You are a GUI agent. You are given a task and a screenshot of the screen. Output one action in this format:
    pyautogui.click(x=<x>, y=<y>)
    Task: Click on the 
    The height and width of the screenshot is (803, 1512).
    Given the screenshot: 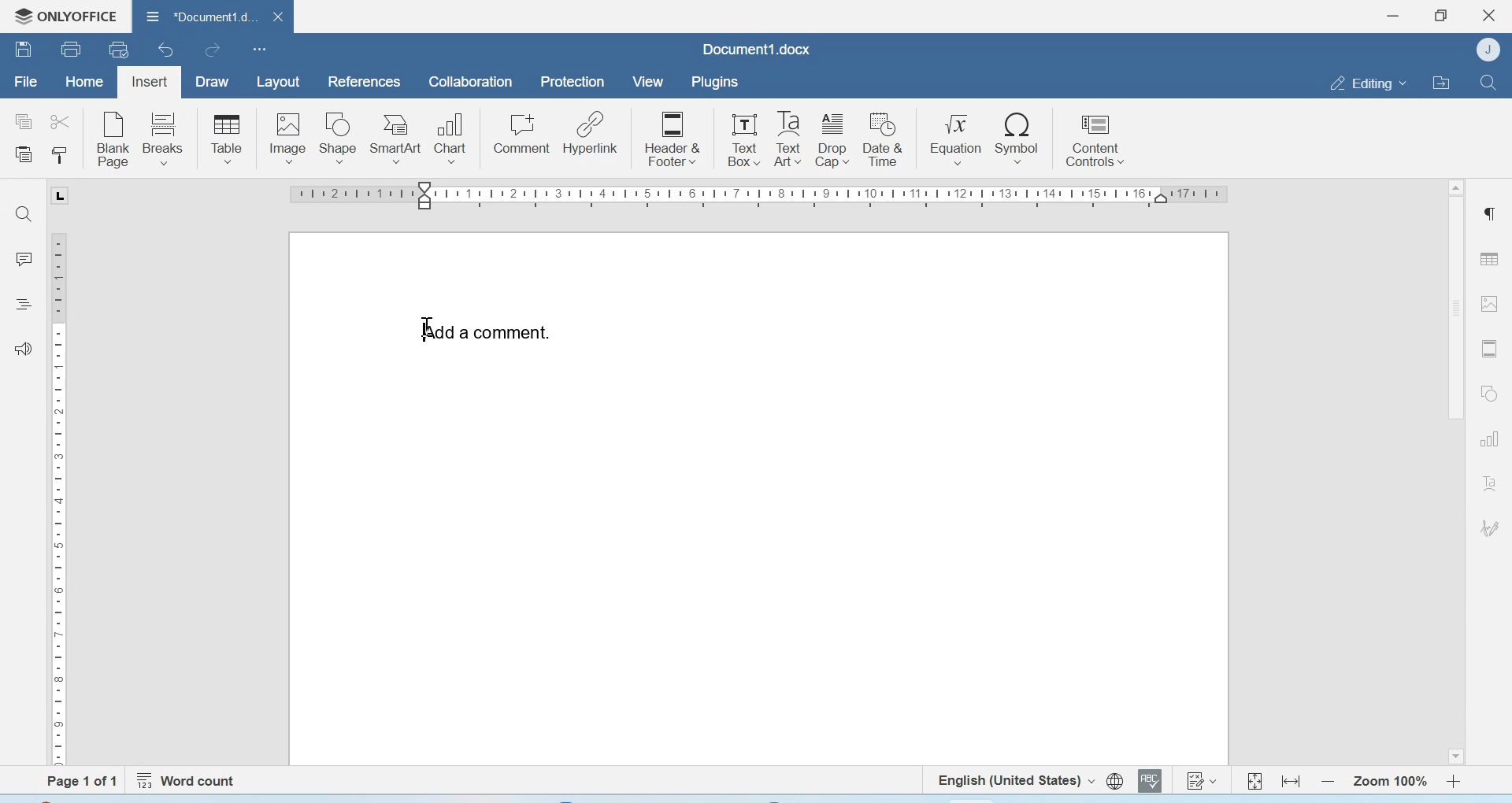 What is the action you would take?
    pyautogui.click(x=1488, y=50)
    